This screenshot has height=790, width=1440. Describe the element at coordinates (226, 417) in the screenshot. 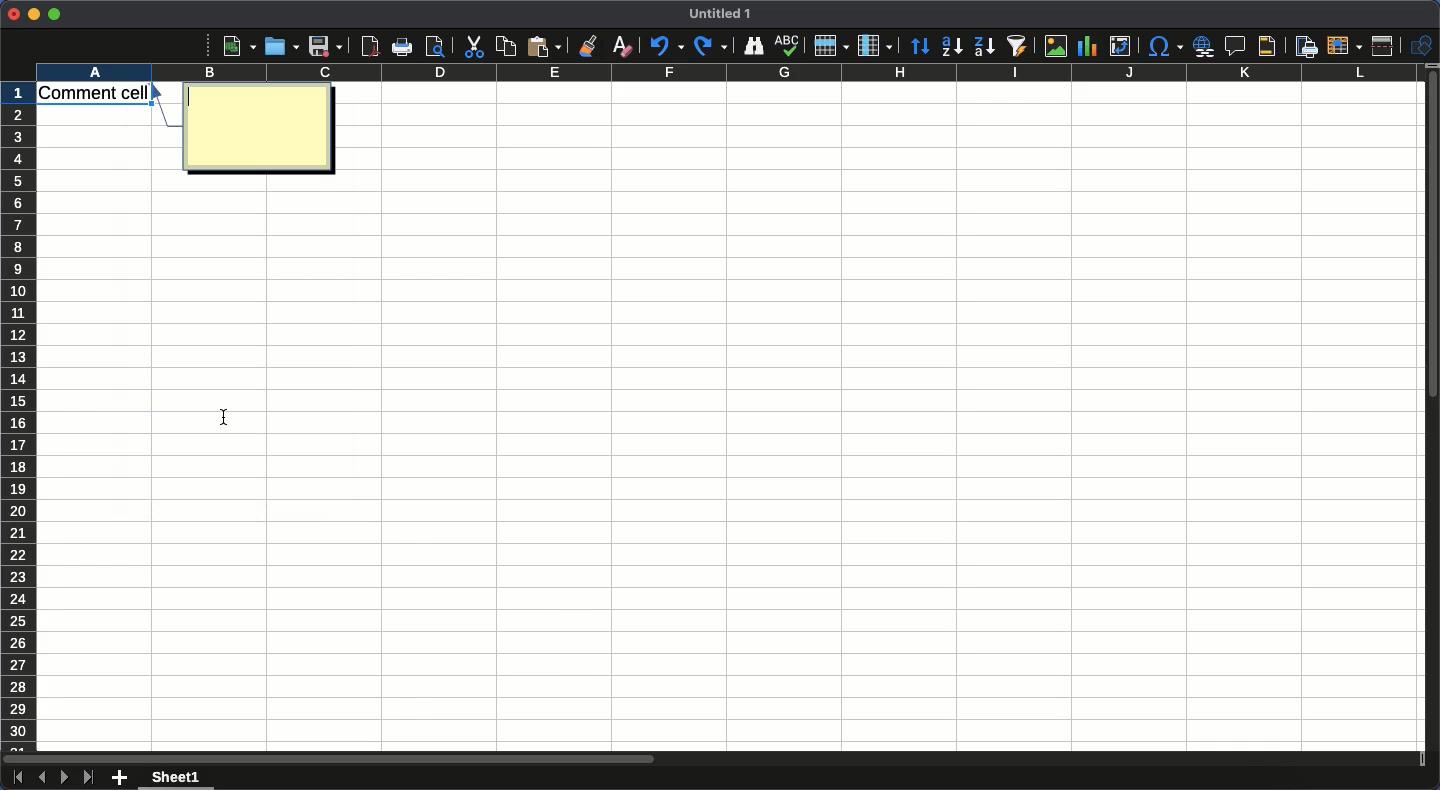

I see `cursor position` at that location.